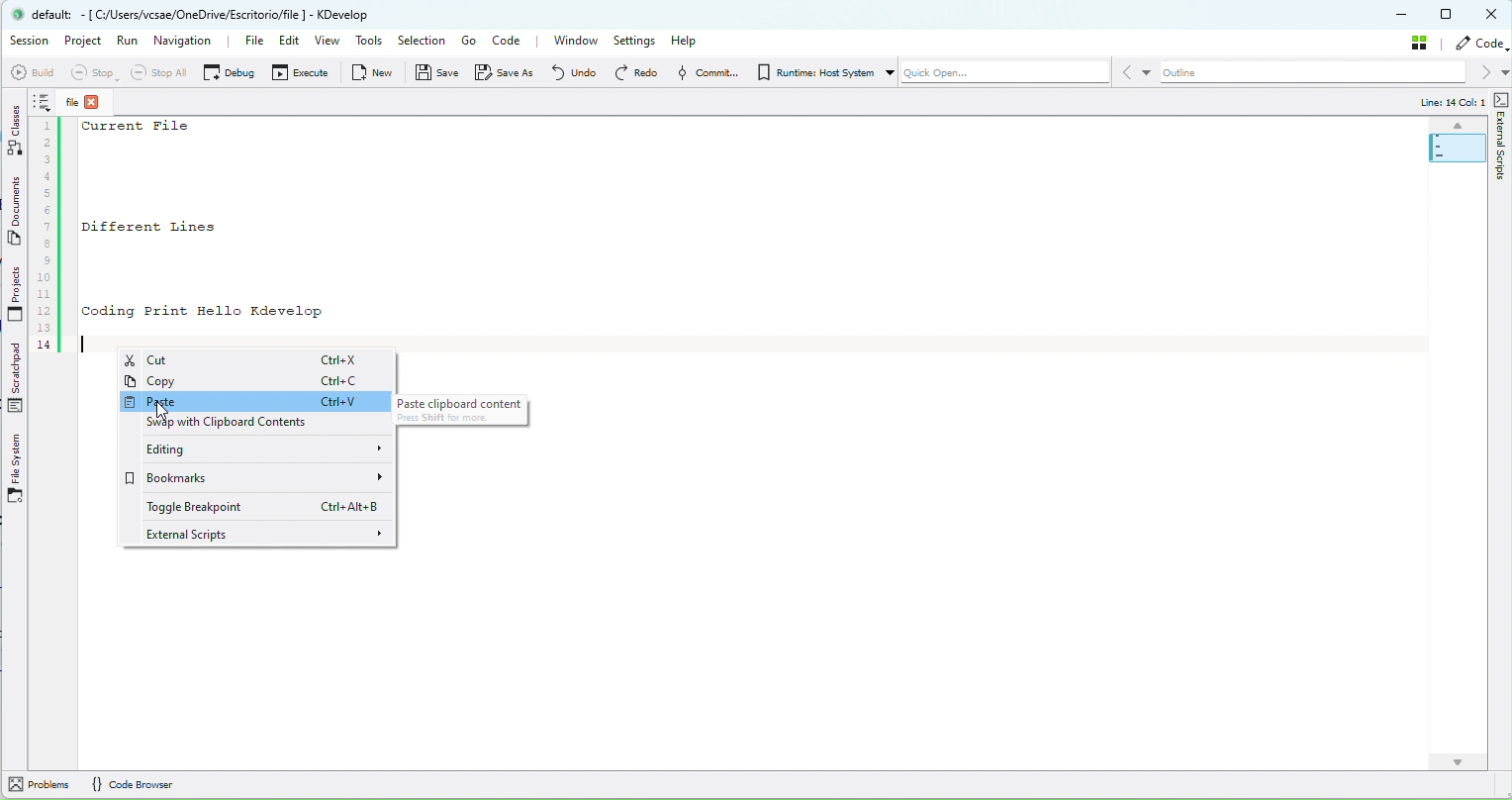 The width and height of the screenshot is (1512, 800). What do you see at coordinates (262, 380) in the screenshot?
I see `Copy Ctrl+C` at bounding box center [262, 380].